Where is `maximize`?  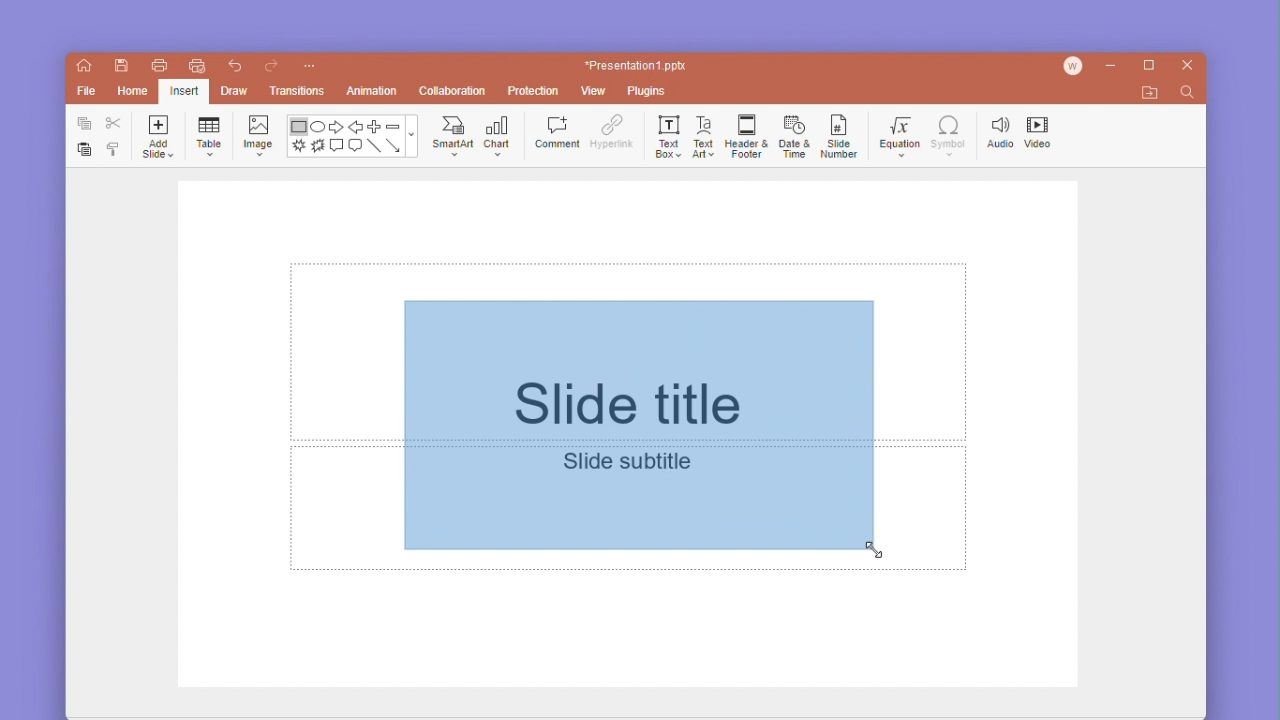
maximize is located at coordinates (1146, 66).